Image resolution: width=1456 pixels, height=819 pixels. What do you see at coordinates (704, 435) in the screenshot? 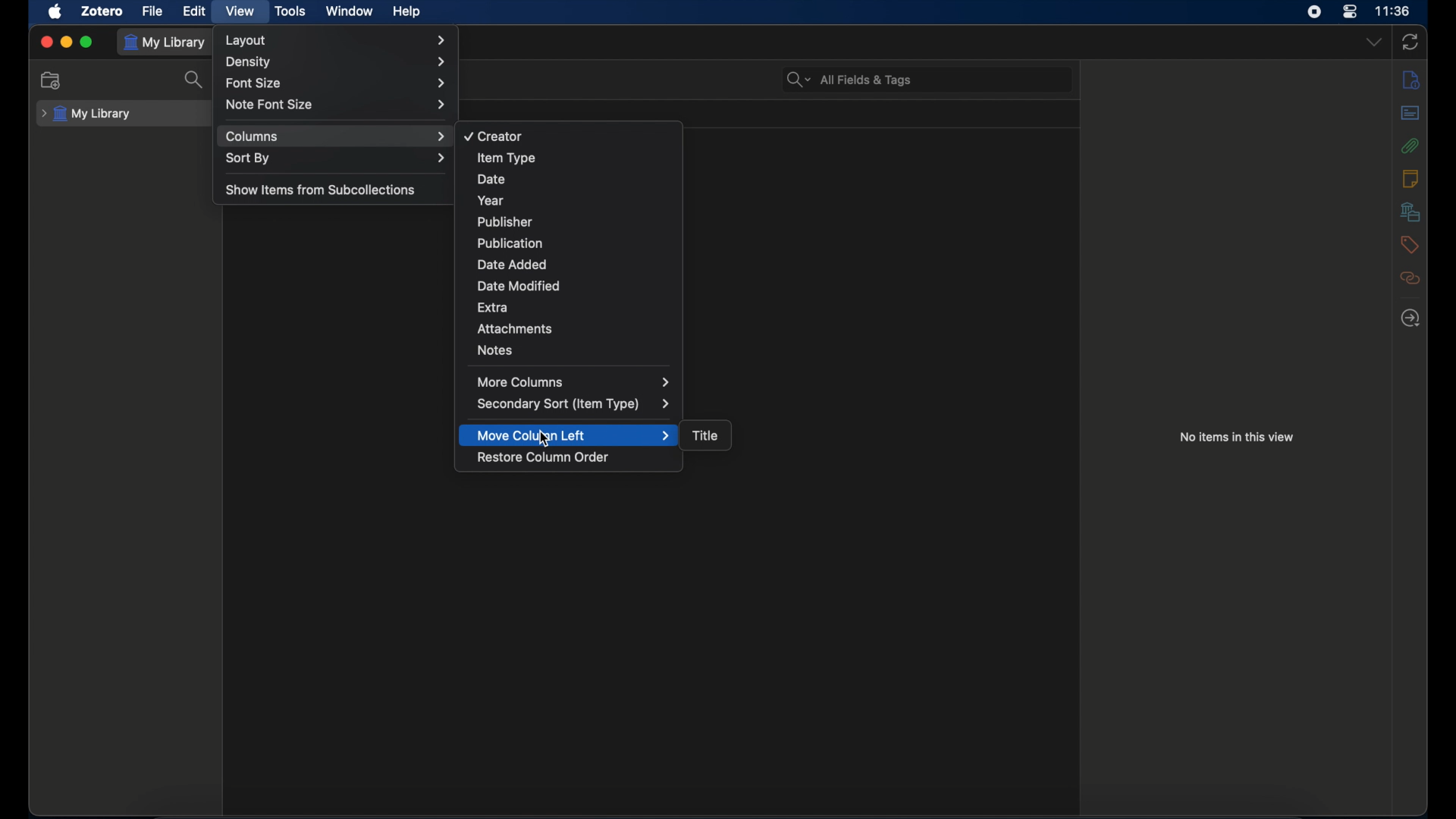
I see `title` at bounding box center [704, 435].